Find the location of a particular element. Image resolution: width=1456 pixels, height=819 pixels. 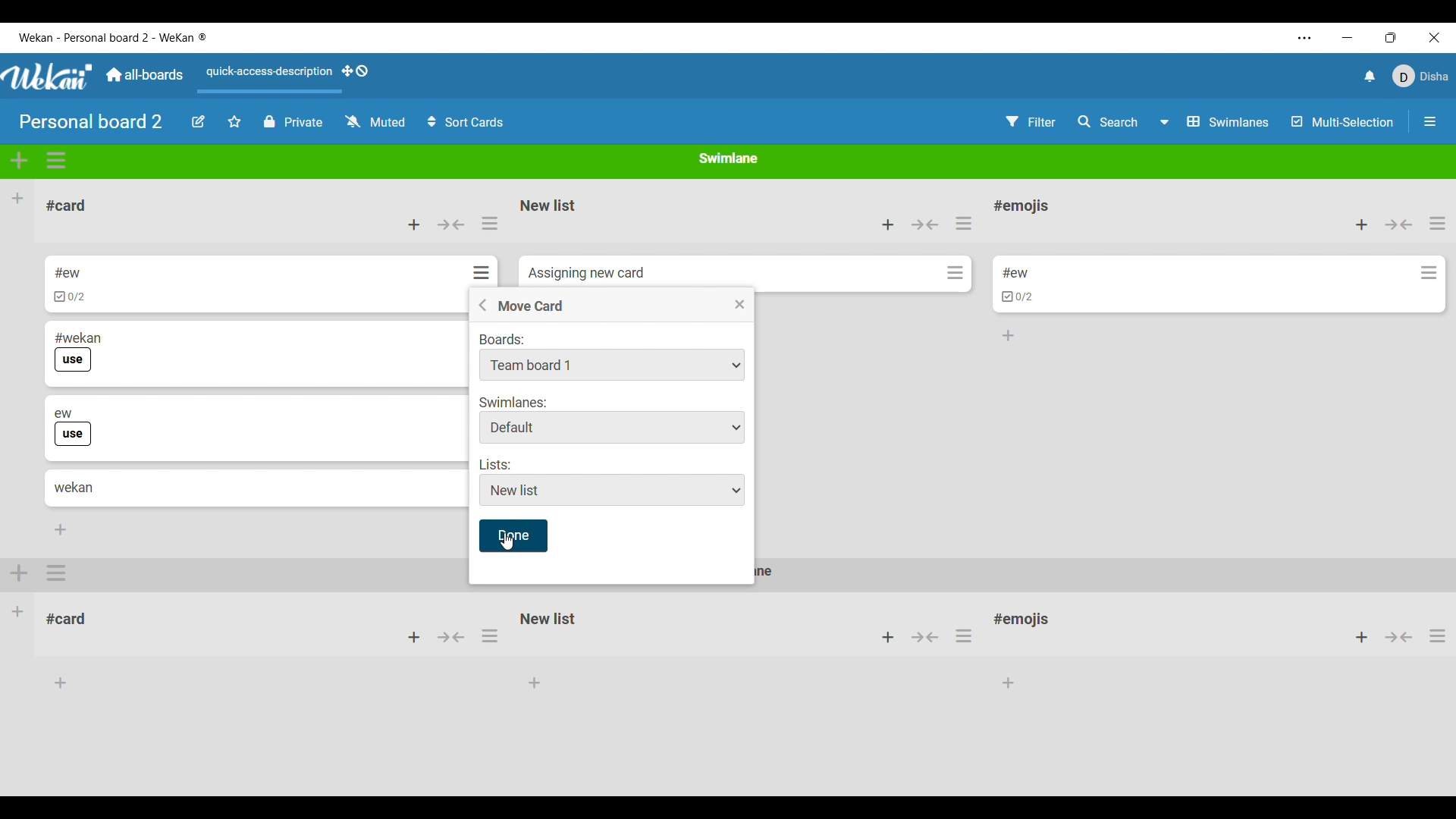

options is located at coordinates (491, 640).